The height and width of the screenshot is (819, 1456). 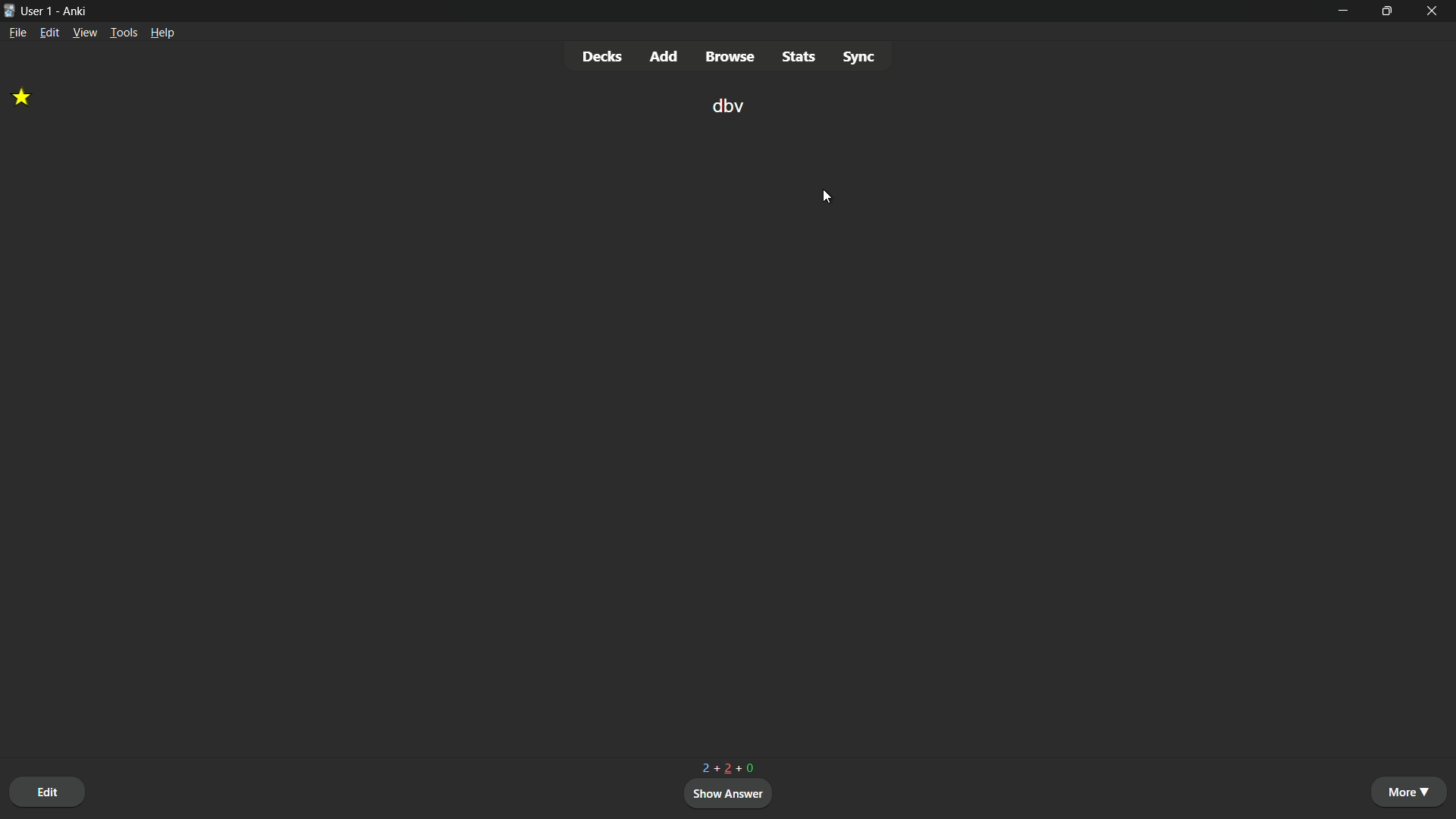 What do you see at coordinates (1411, 791) in the screenshot?
I see `more` at bounding box center [1411, 791].